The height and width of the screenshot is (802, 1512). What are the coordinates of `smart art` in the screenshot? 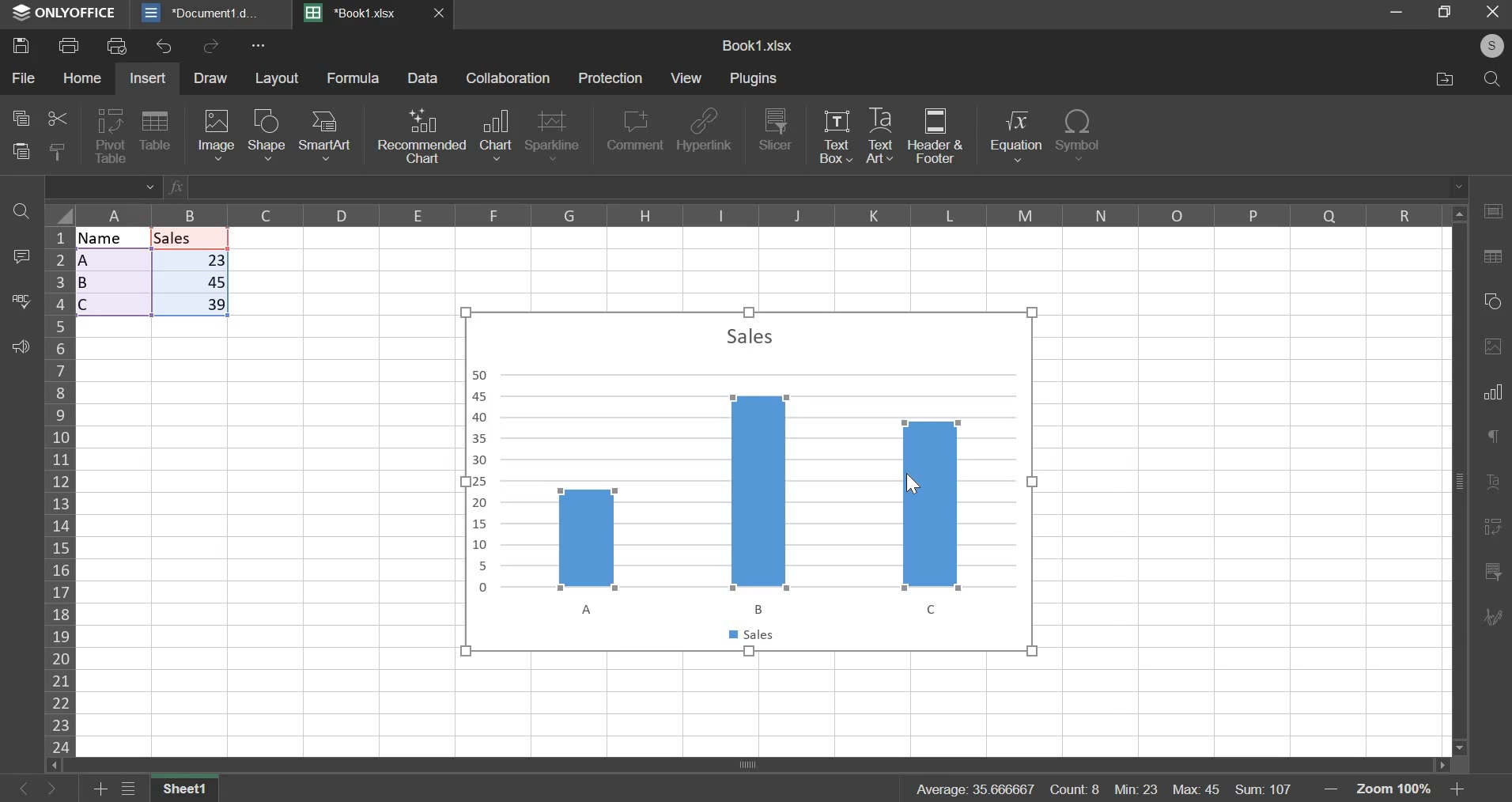 It's located at (325, 135).